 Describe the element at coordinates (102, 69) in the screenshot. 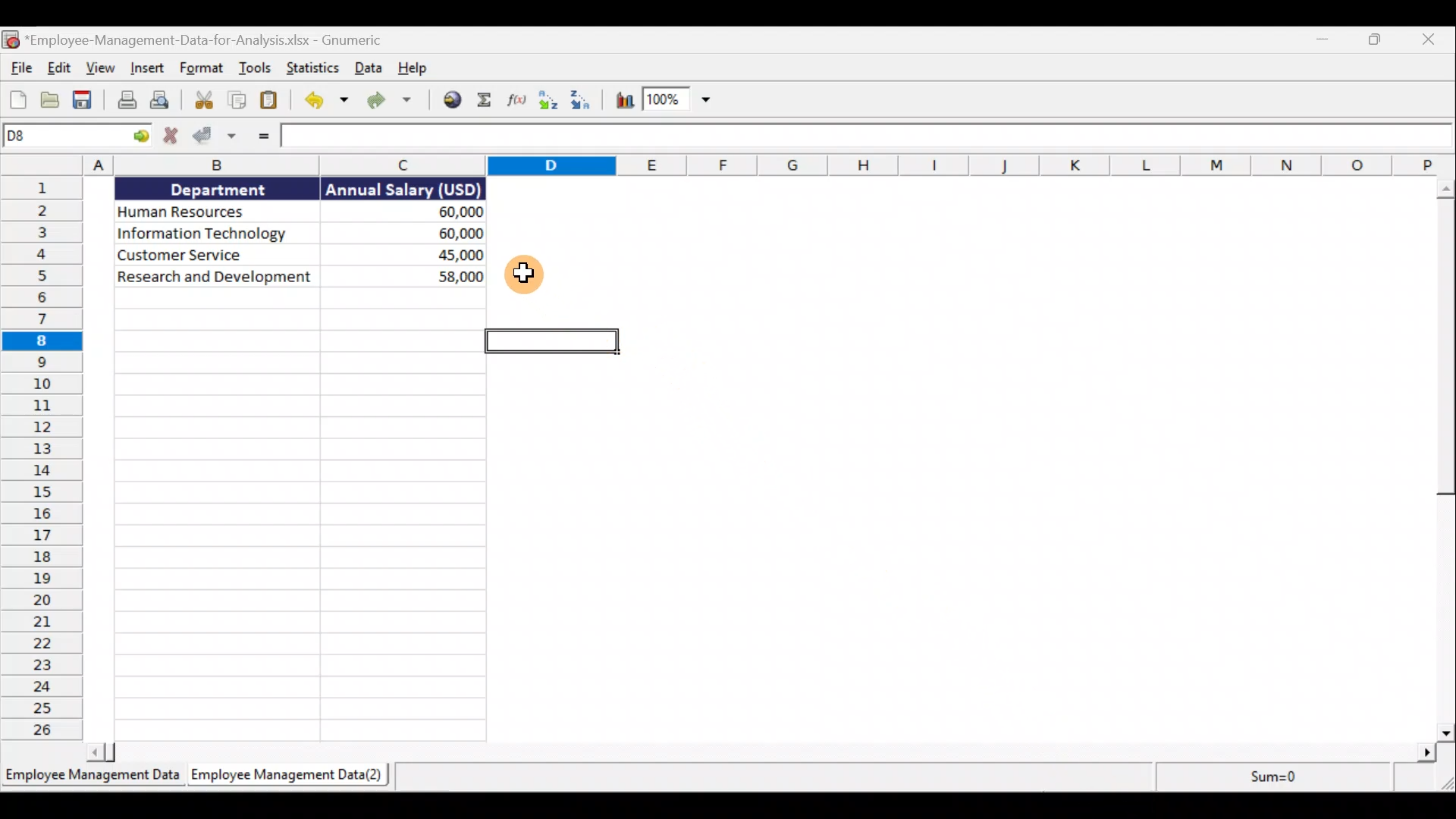

I see `View` at that location.